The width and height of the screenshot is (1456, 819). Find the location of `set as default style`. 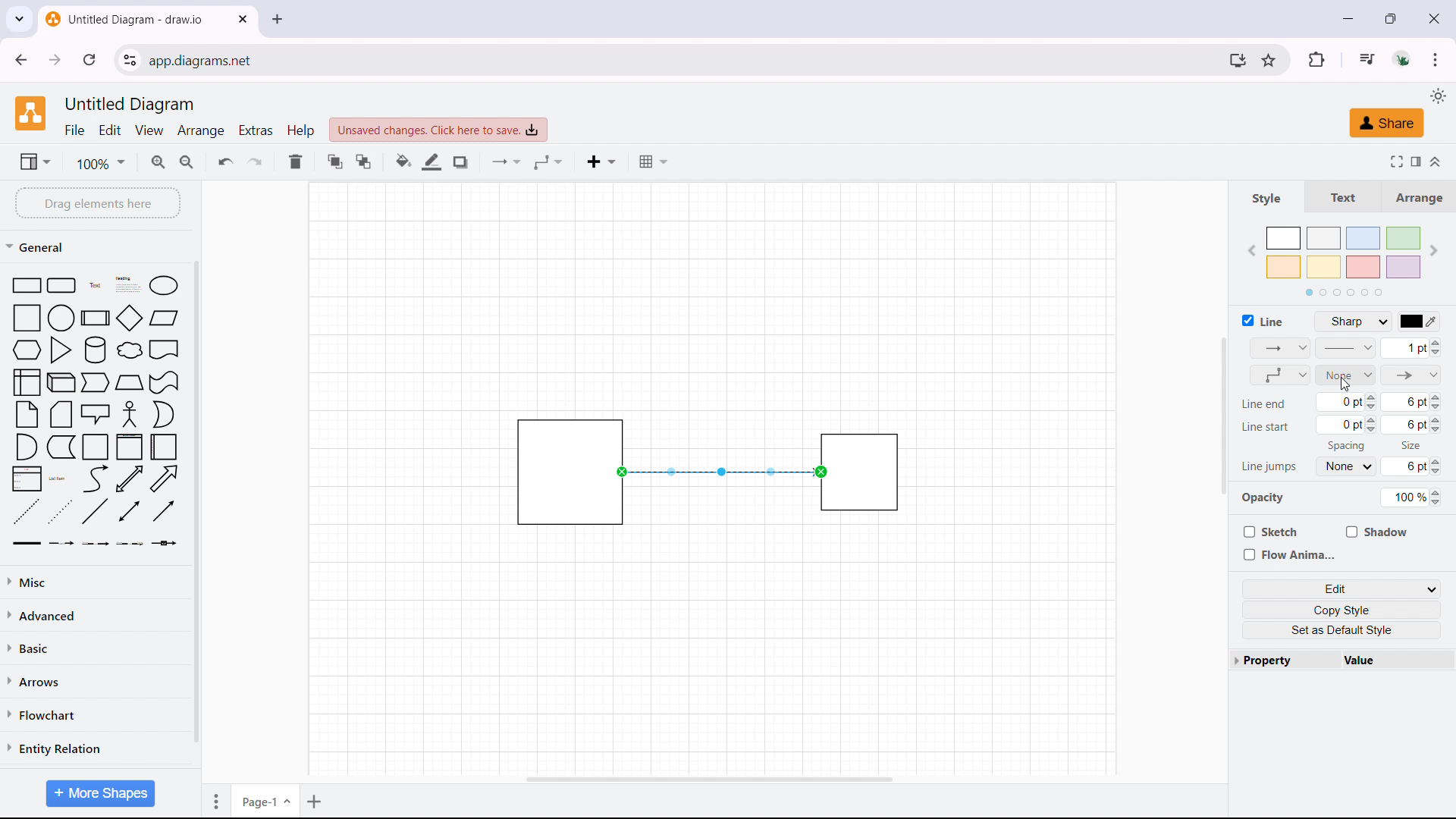

set as default style is located at coordinates (1345, 629).